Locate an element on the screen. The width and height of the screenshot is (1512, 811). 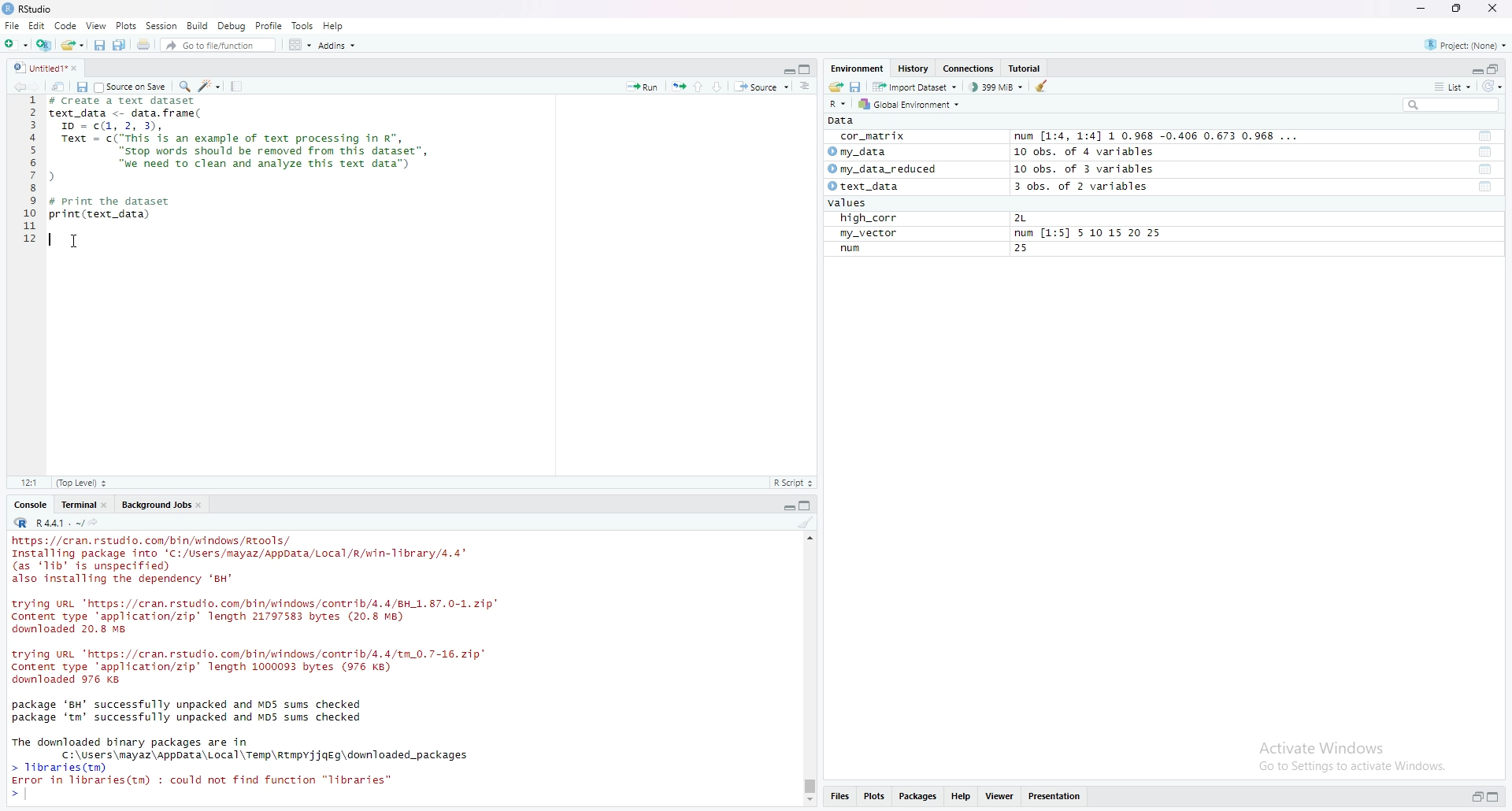
project(None) is located at coordinates (1466, 45).